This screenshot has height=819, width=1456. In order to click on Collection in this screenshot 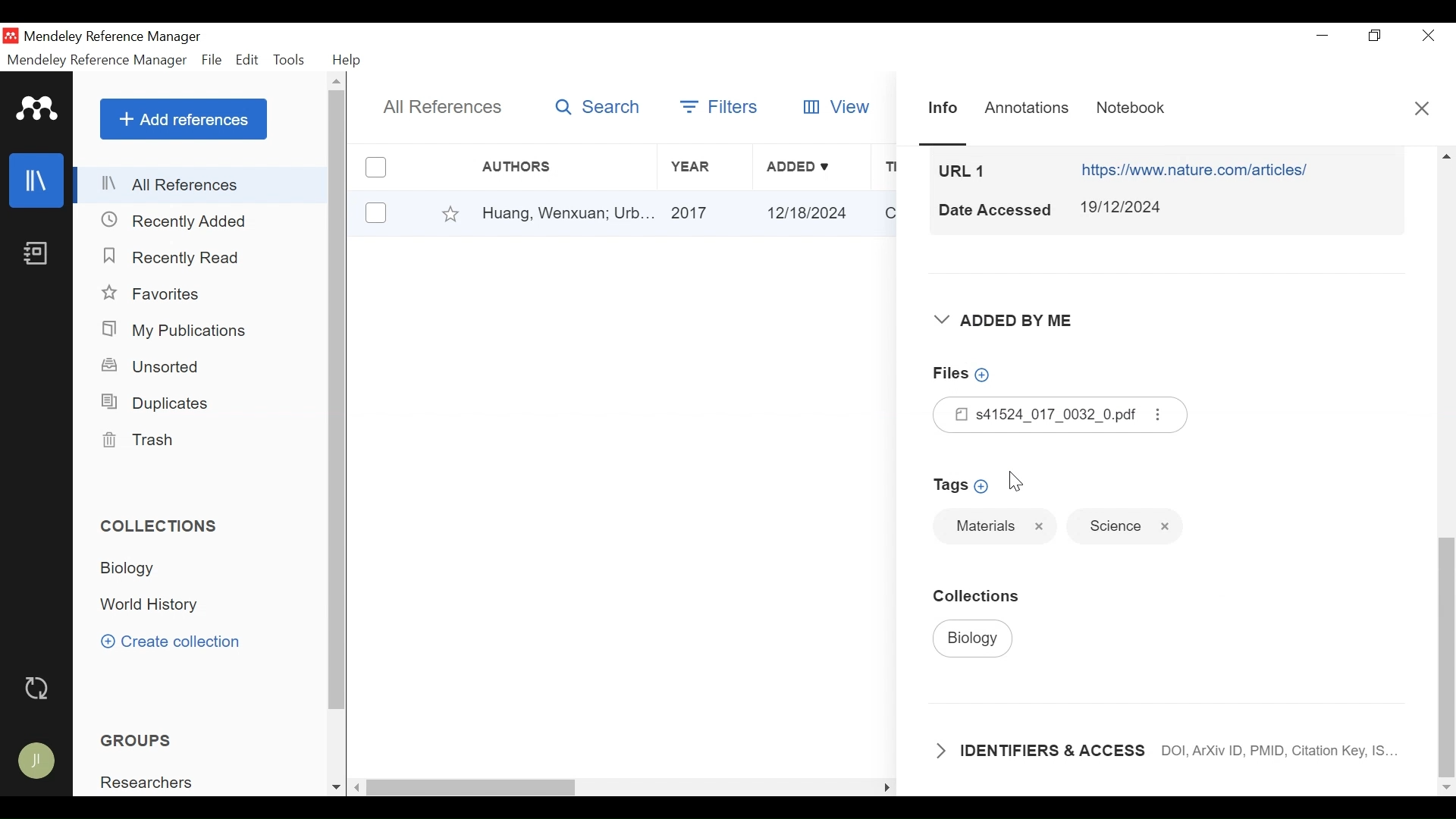, I will do `click(157, 605)`.